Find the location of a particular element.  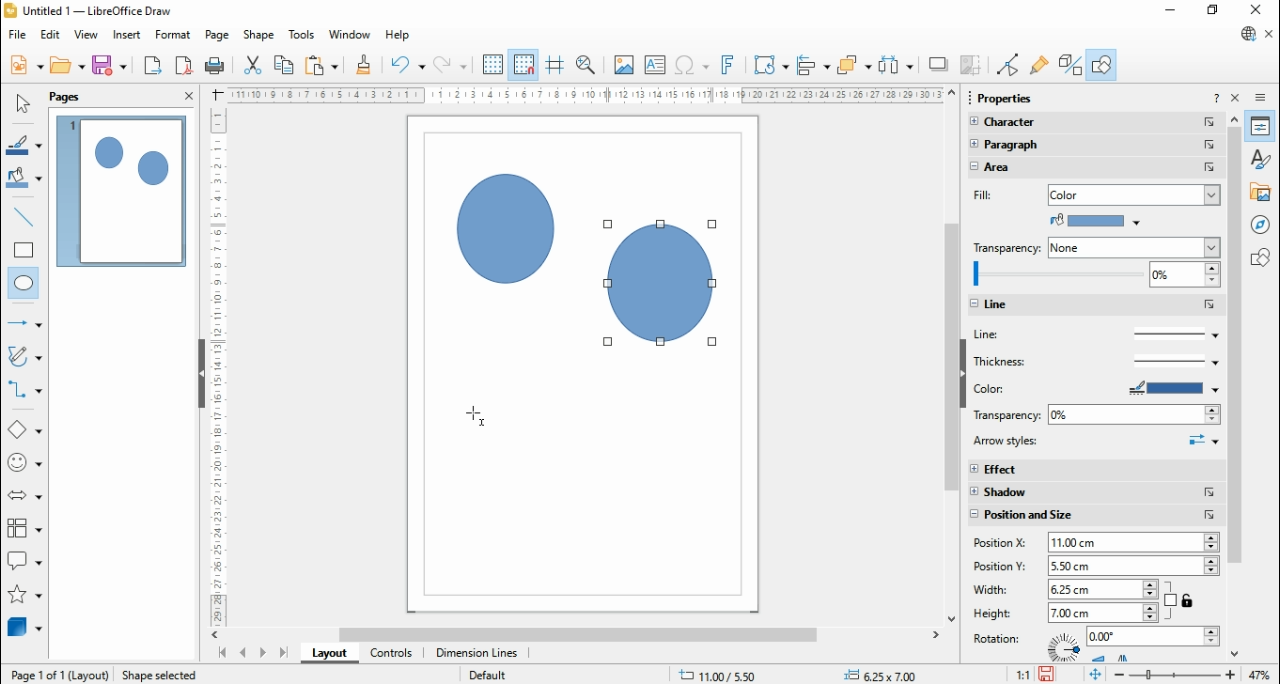

curves and polygons is located at coordinates (26, 357).